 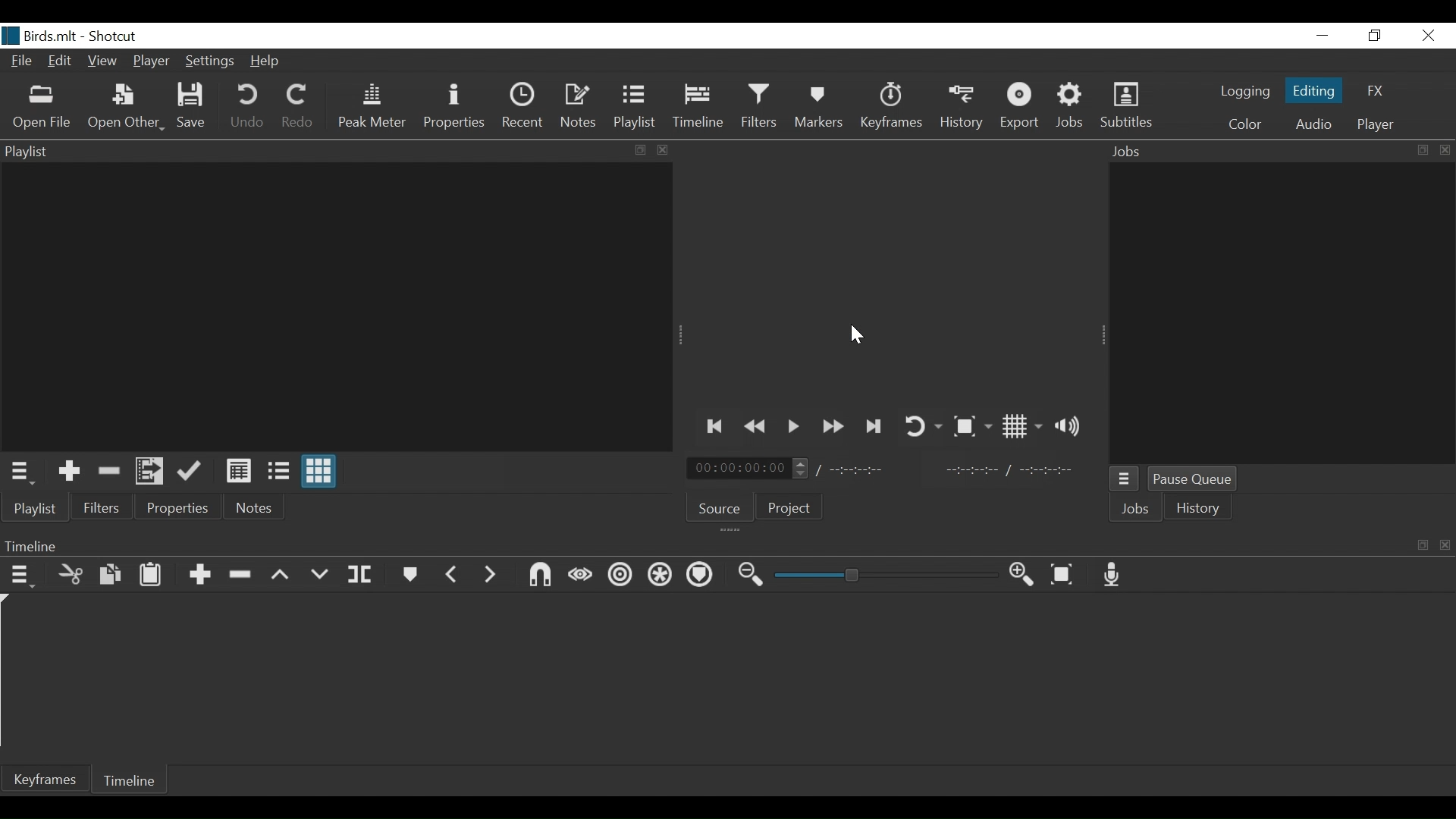 I want to click on Add files to the playlist, so click(x=152, y=472).